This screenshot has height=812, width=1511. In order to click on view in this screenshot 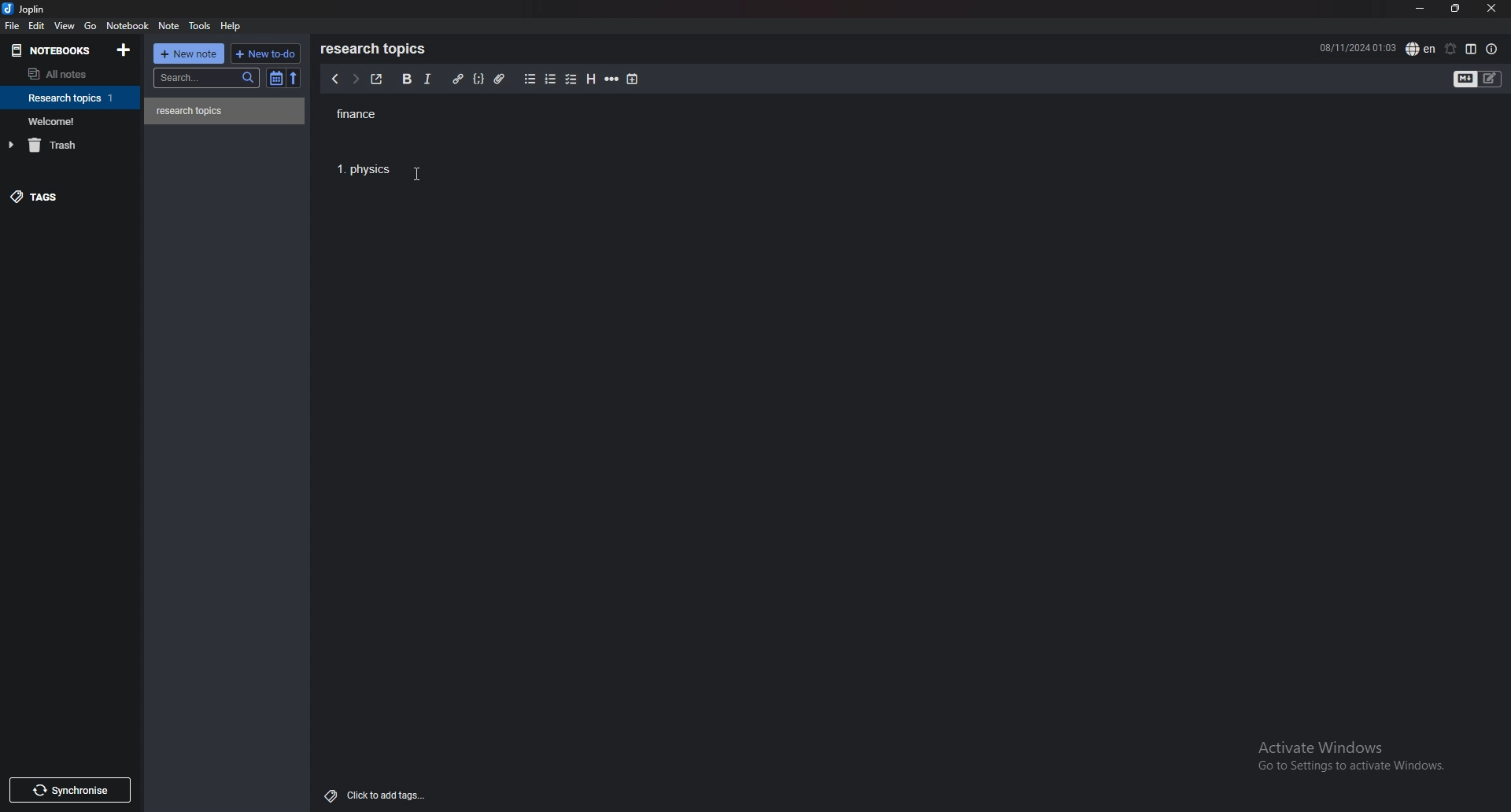, I will do `click(65, 26)`.